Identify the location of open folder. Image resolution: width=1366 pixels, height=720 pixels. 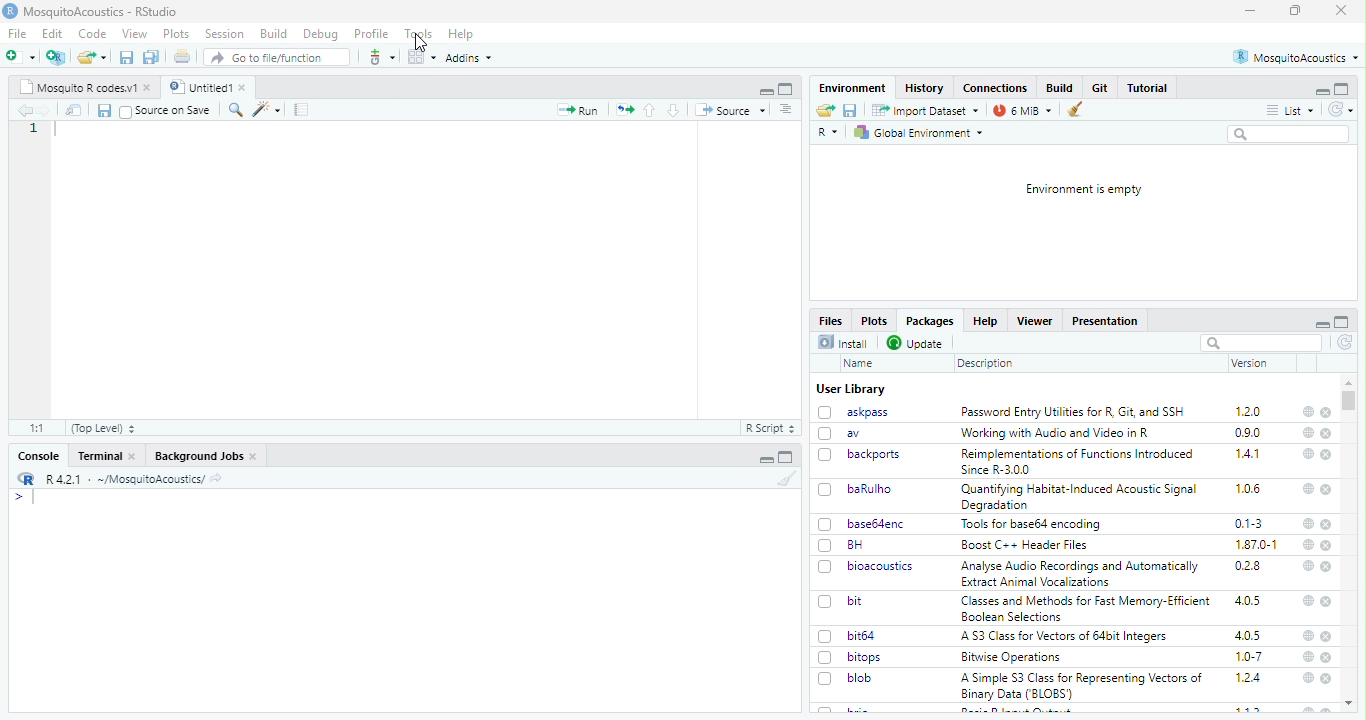
(92, 57).